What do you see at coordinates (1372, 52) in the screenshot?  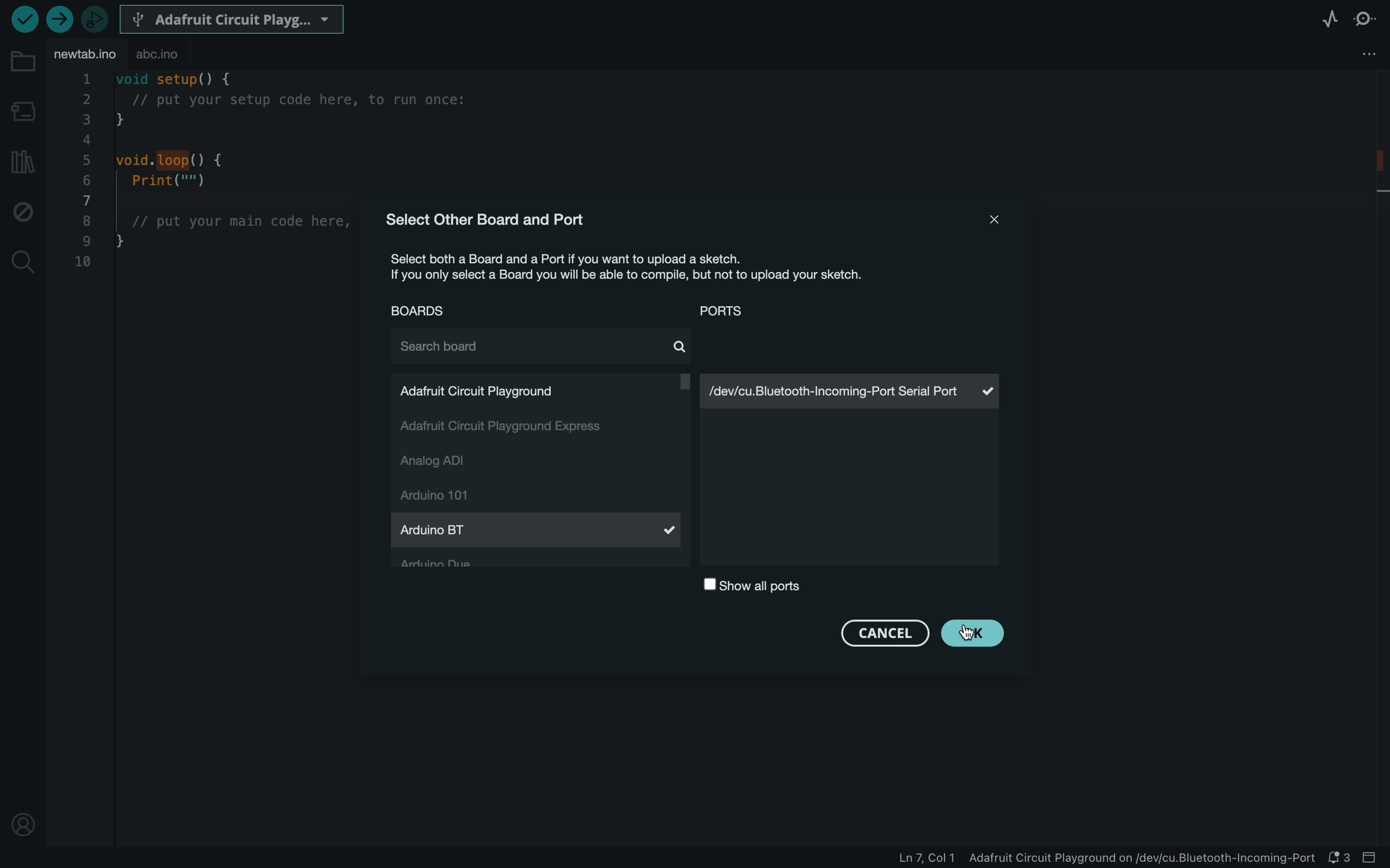 I see `file setting` at bounding box center [1372, 52].